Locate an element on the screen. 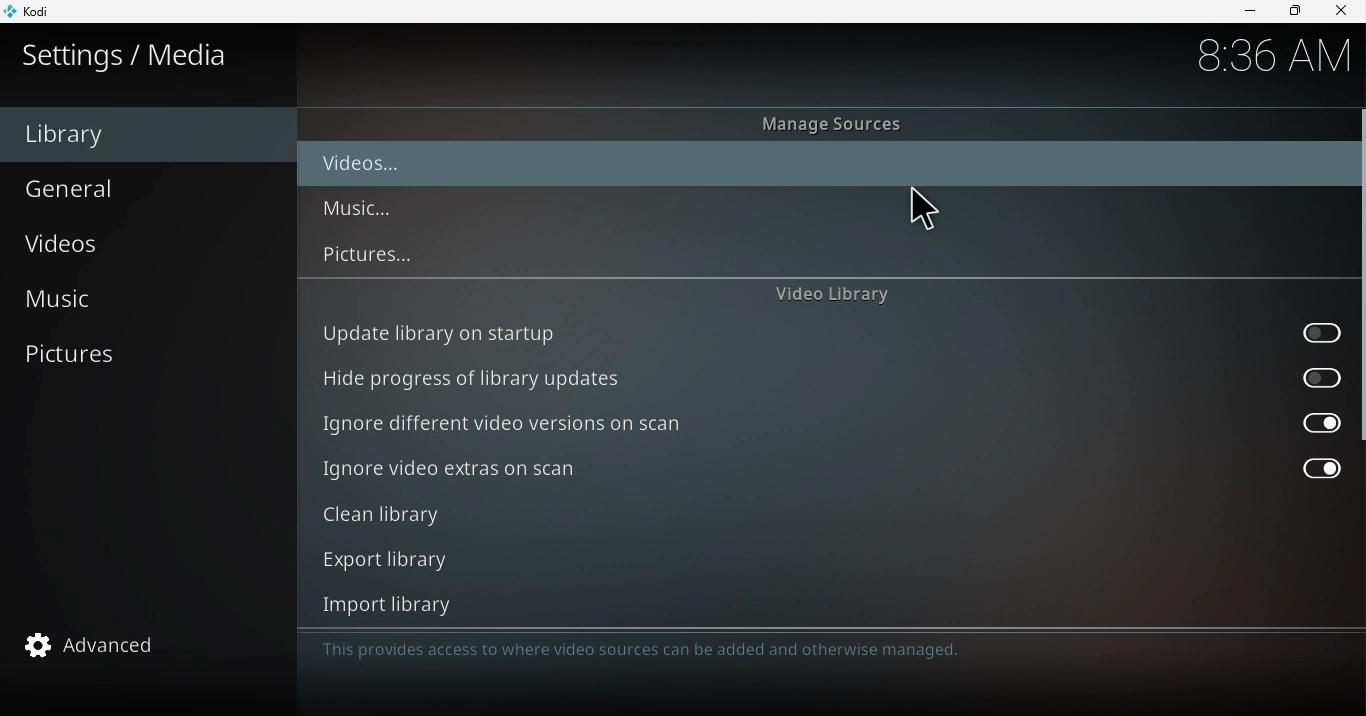  Update library on startup is located at coordinates (830, 333).